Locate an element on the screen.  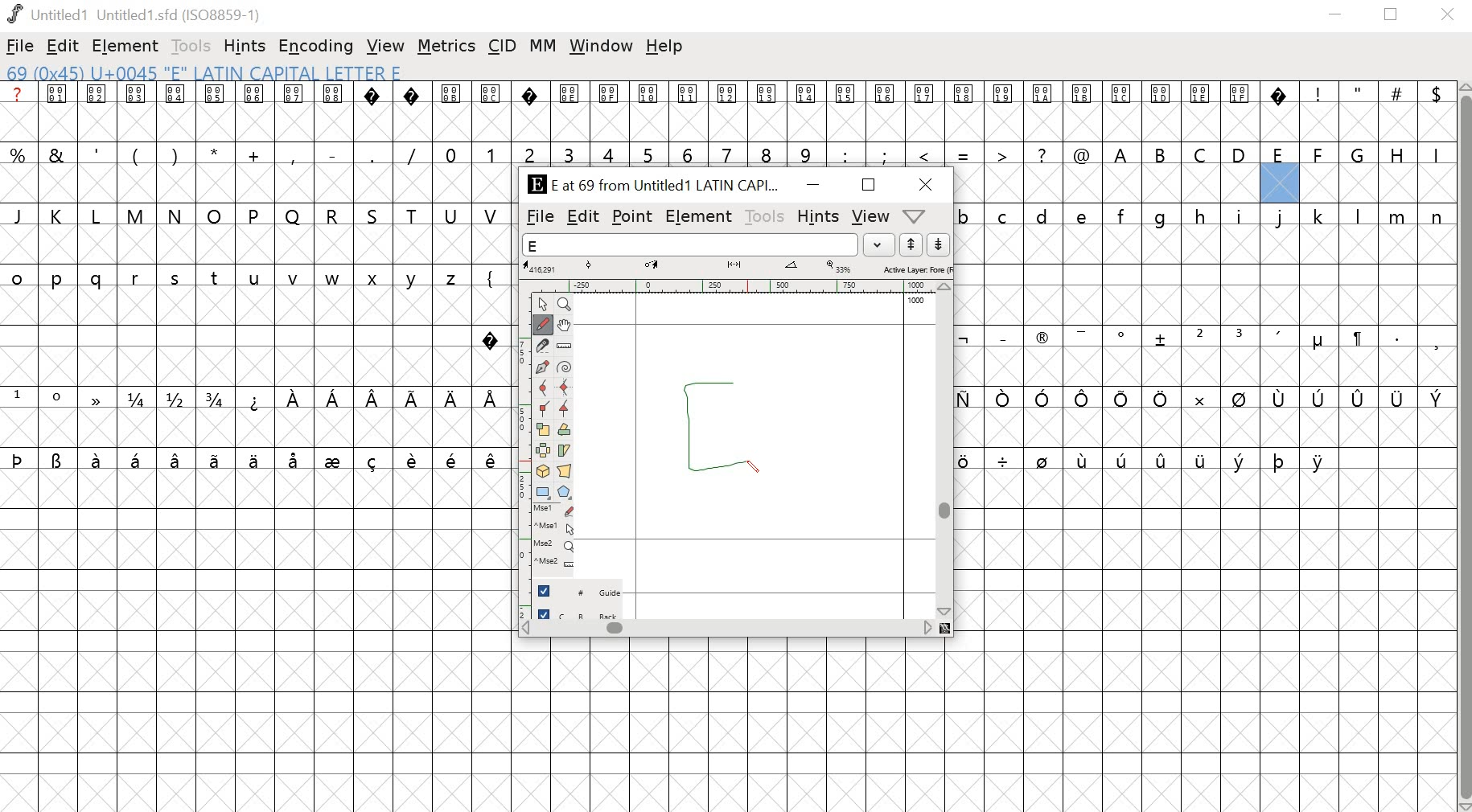
special characters and empty cells is located at coordinates (1203, 459).